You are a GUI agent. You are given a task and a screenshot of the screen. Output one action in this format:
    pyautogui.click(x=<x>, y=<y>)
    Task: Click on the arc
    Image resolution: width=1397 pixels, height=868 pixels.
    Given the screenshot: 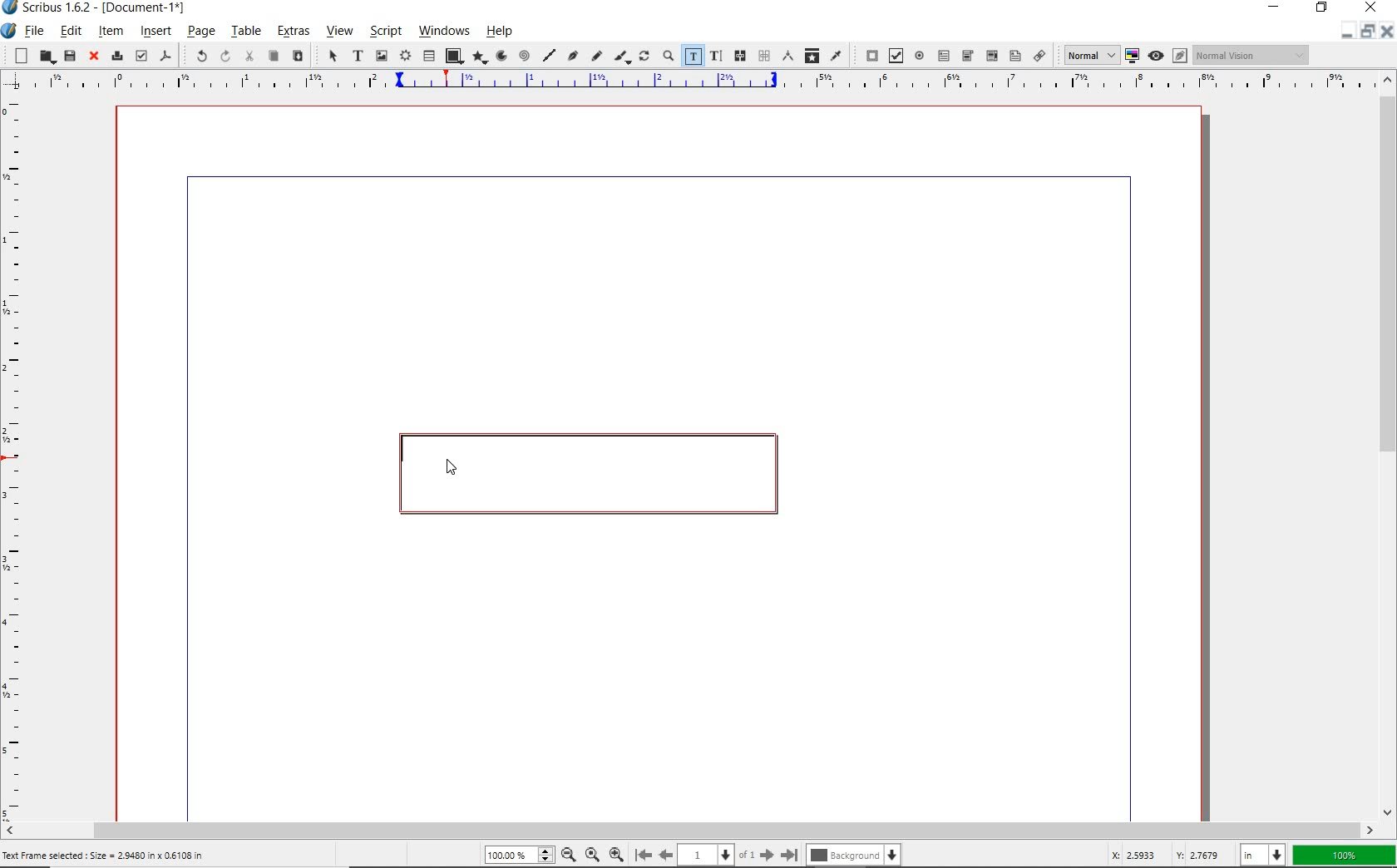 What is the action you would take?
    pyautogui.click(x=500, y=57)
    